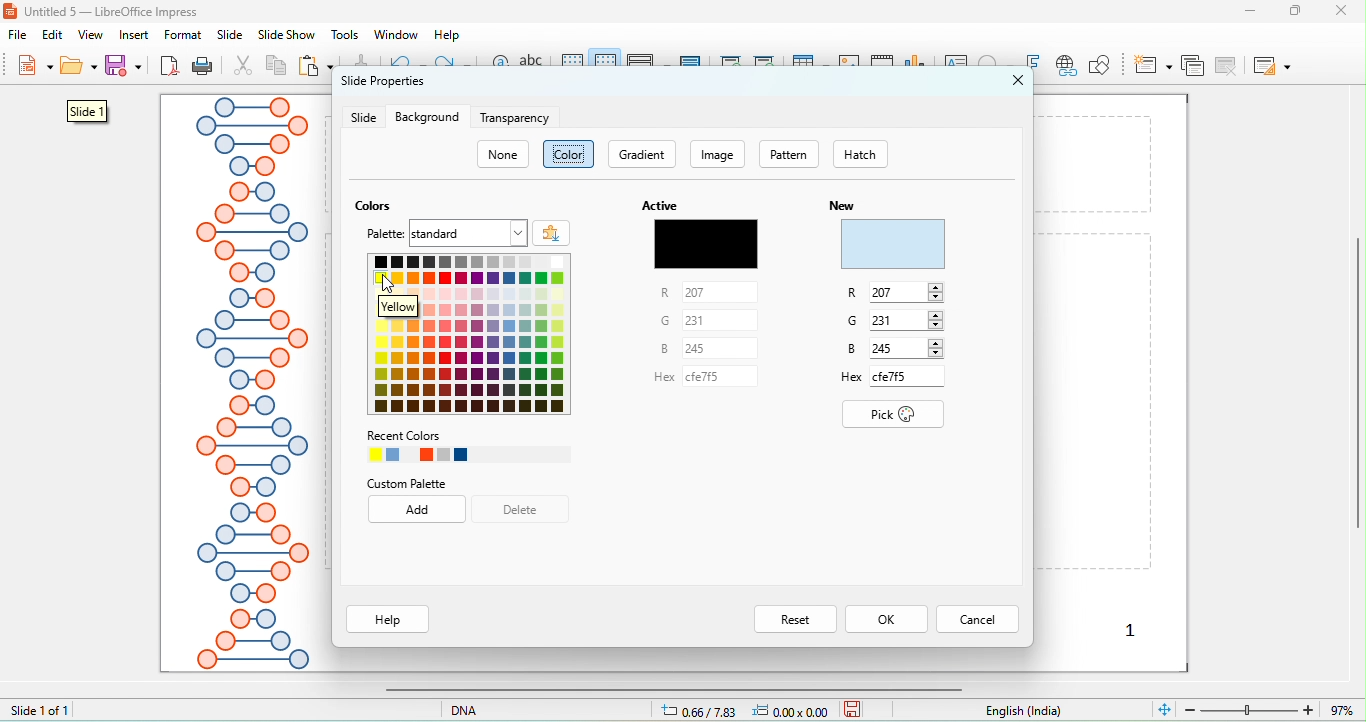  Describe the element at coordinates (570, 154) in the screenshot. I see `color` at that location.